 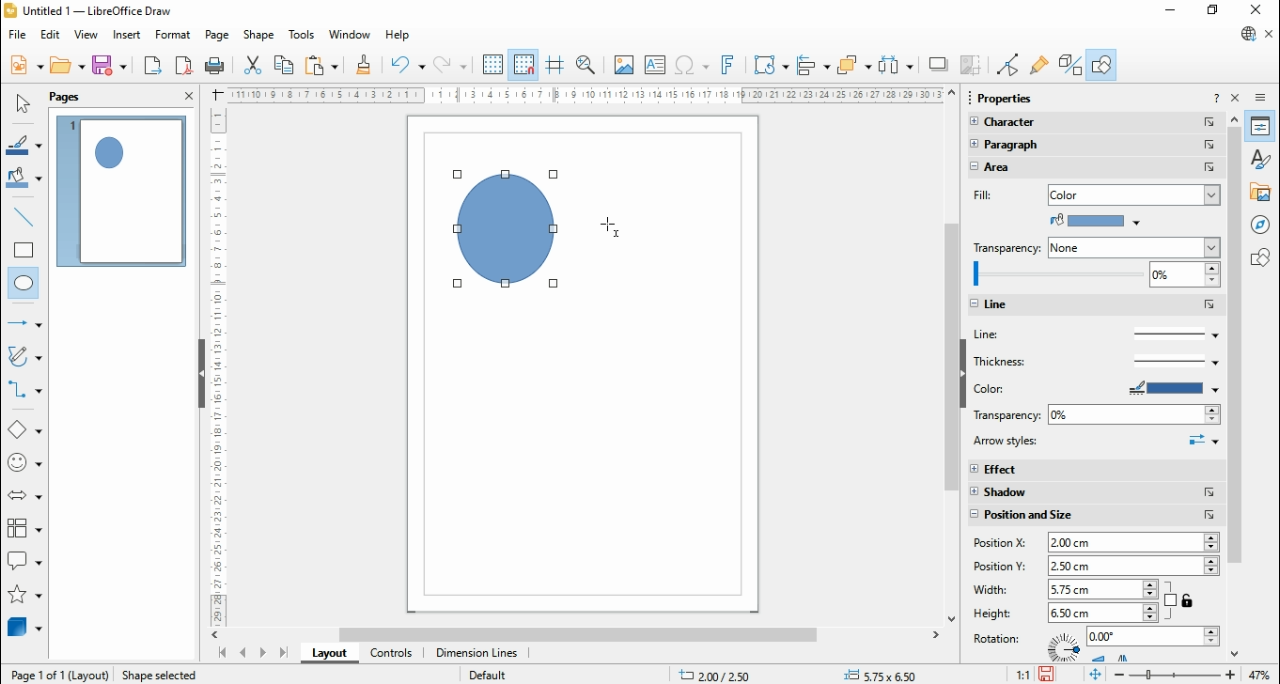 I want to click on basic shapes, so click(x=25, y=432).